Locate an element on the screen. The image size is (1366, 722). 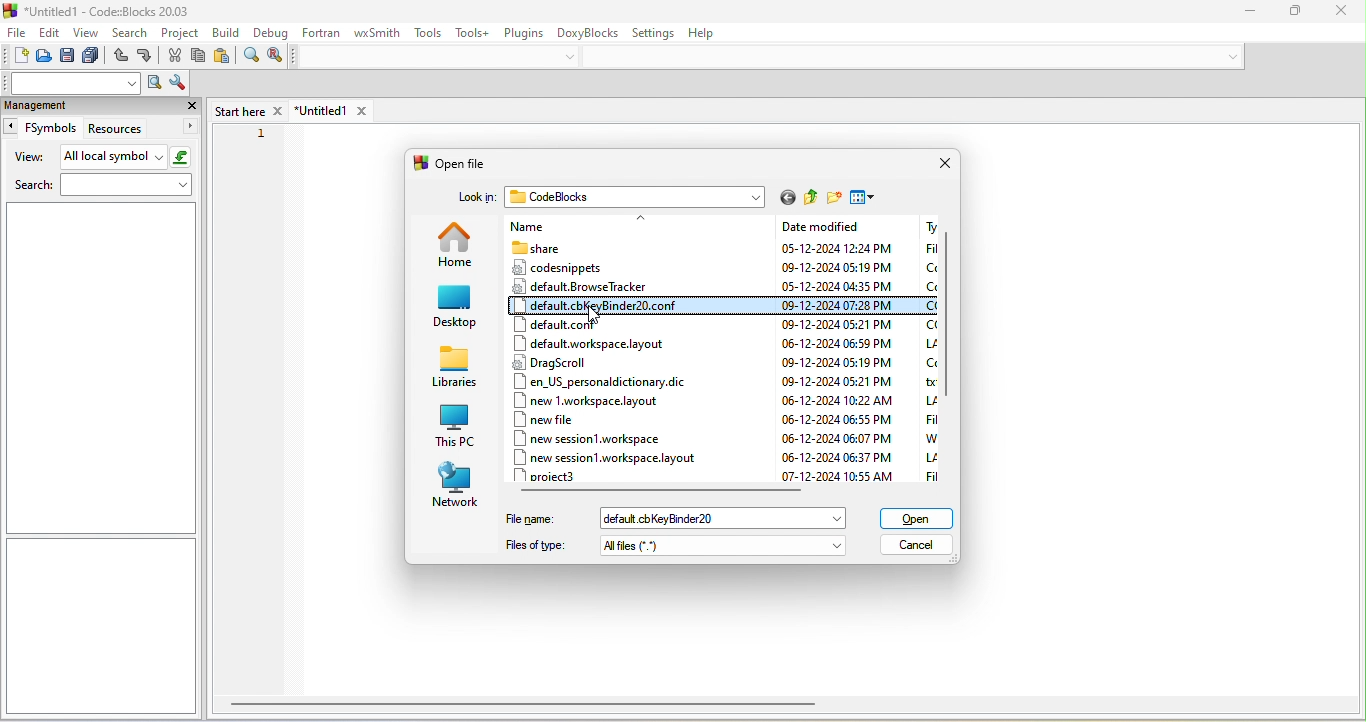
file type is located at coordinates (655, 547).